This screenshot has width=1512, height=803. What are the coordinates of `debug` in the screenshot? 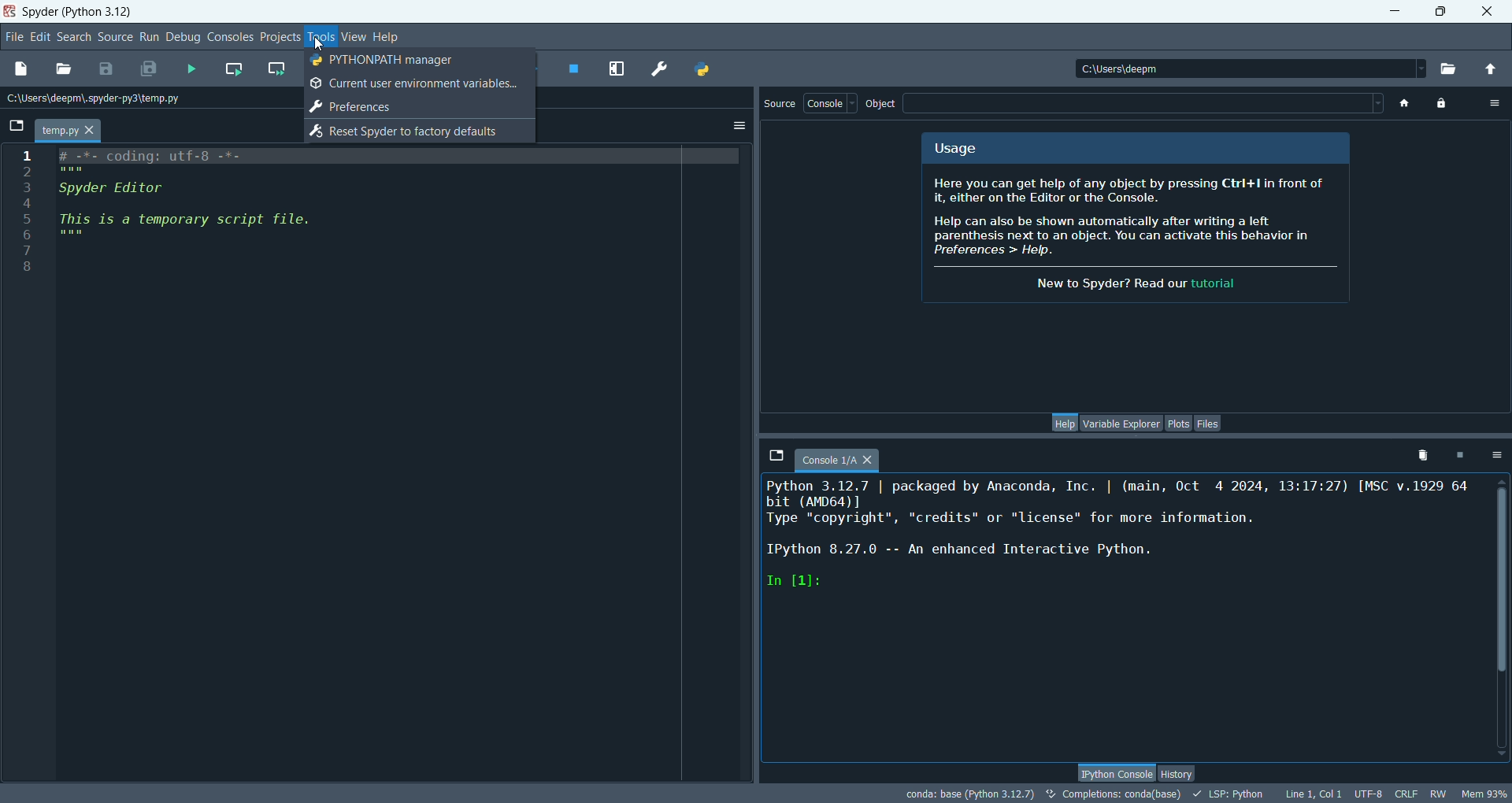 It's located at (182, 39).